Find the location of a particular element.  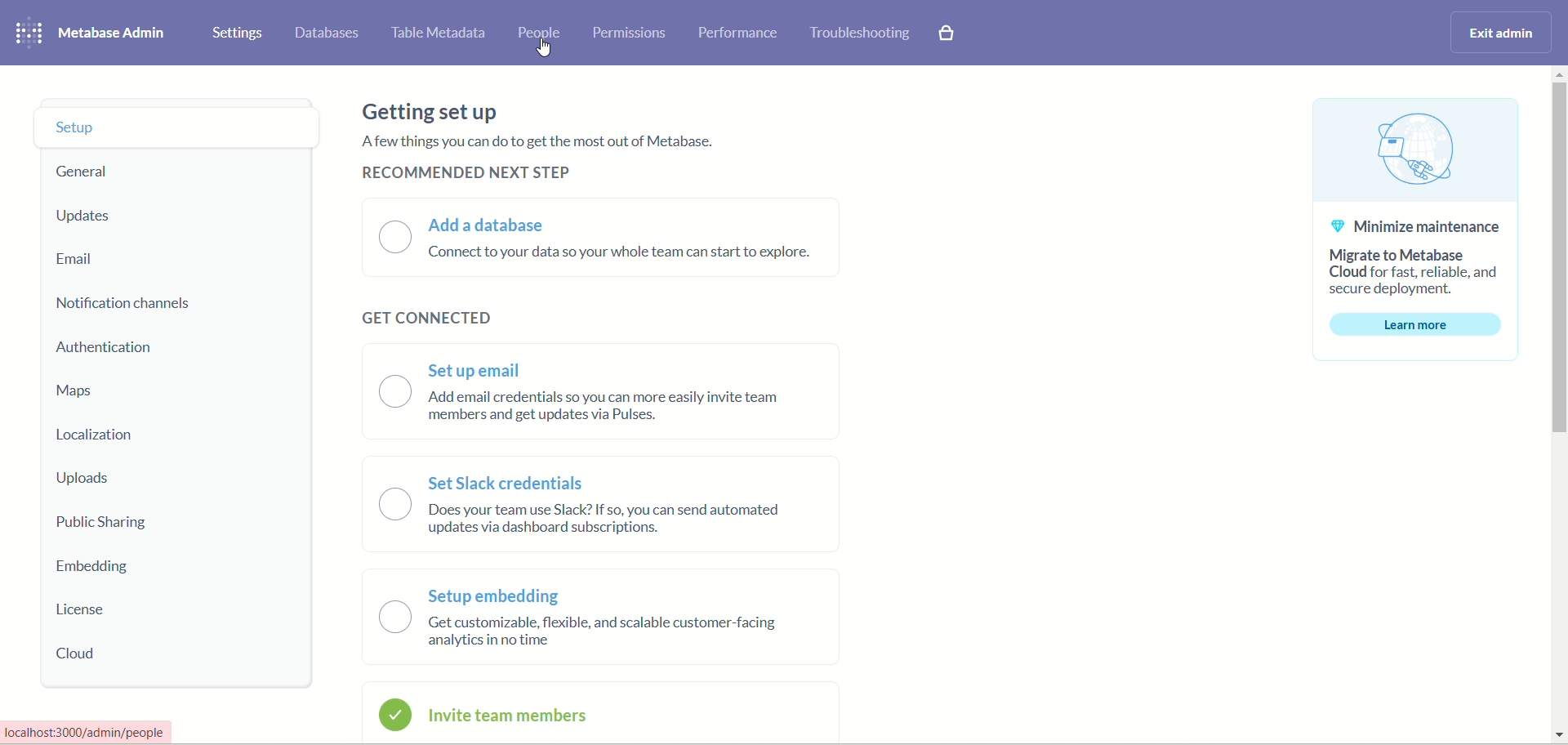

notification channels is located at coordinates (125, 303).